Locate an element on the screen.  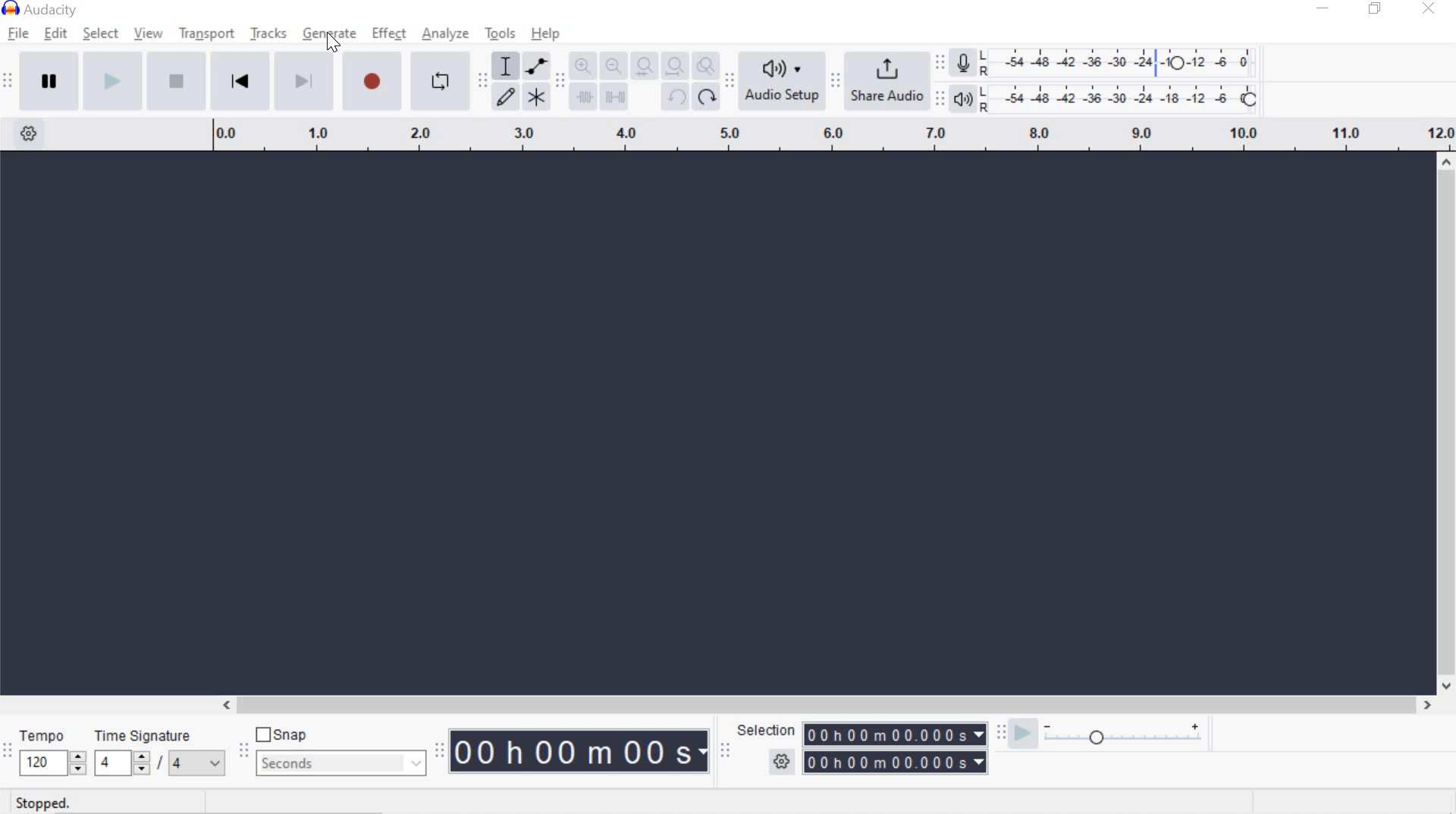
skip to start is located at coordinates (240, 79).